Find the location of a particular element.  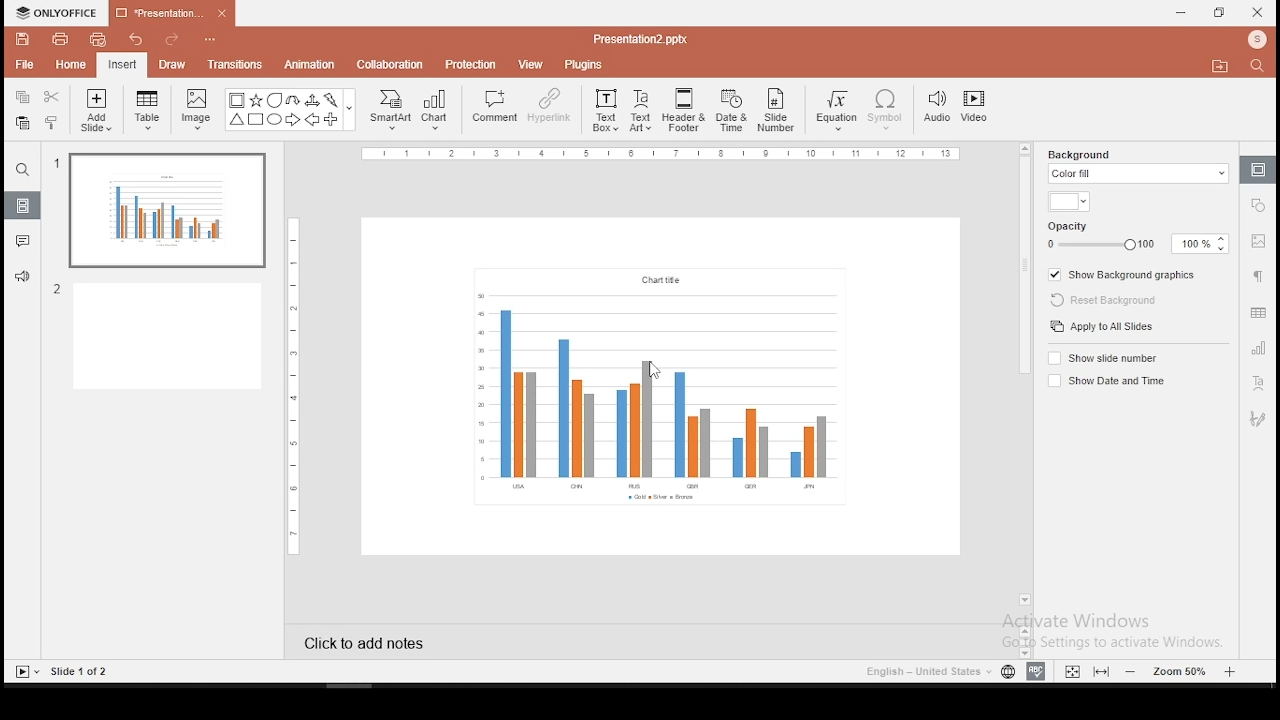

fill color is located at coordinates (1068, 204).